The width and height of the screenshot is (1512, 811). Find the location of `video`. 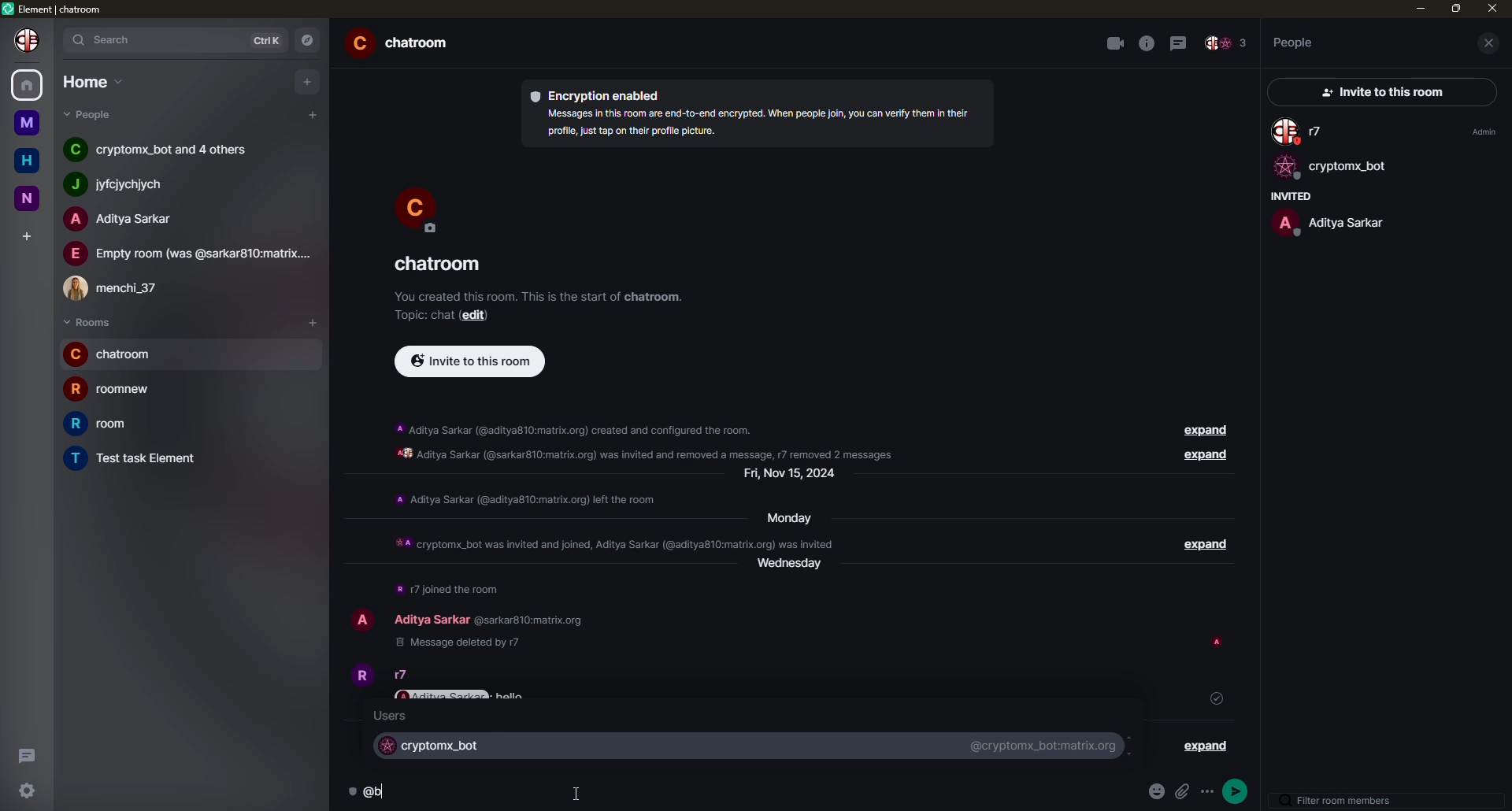

video is located at coordinates (1114, 43).